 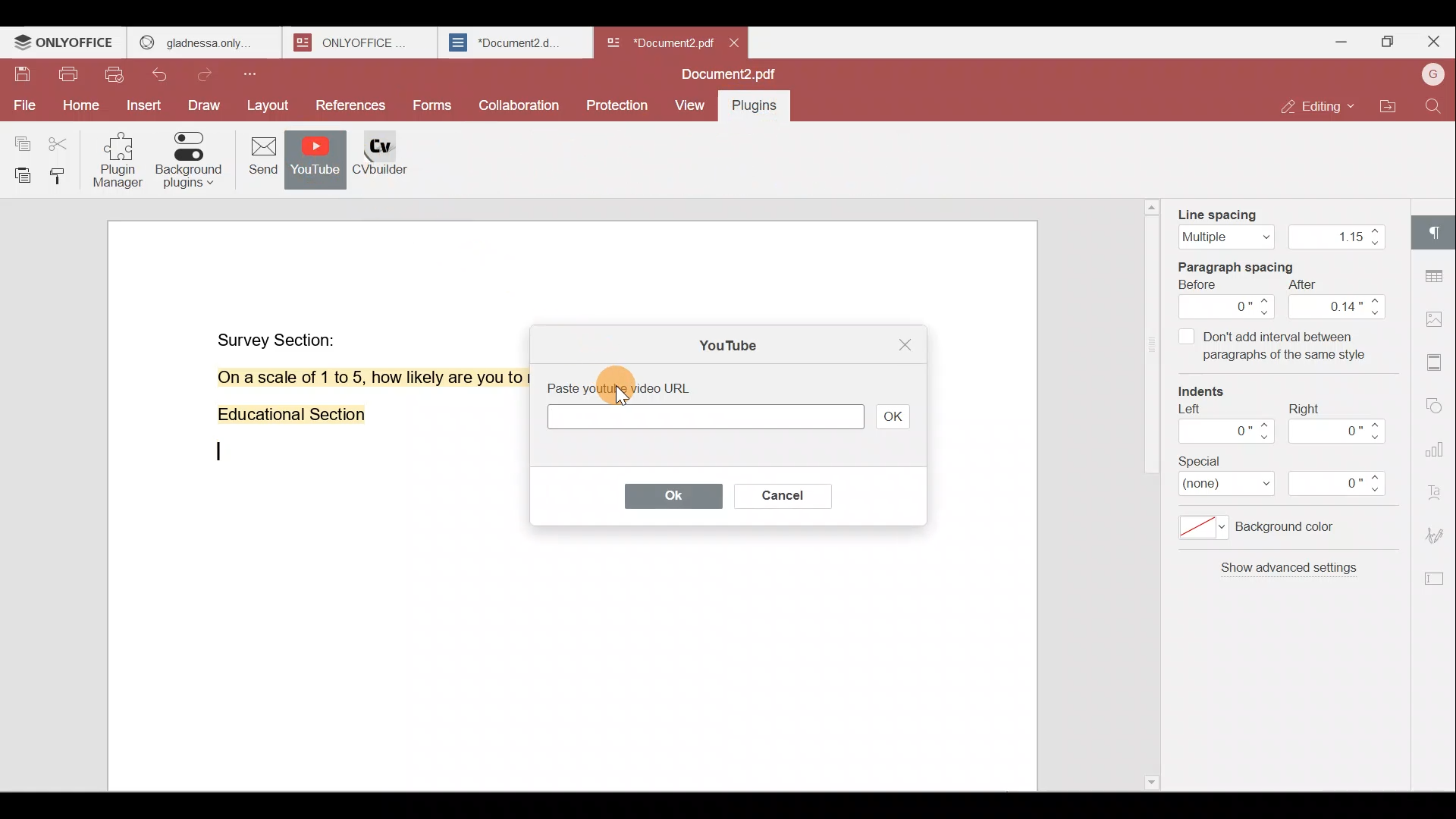 What do you see at coordinates (1432, 76) in the screenshot?
I see `Account name` at bounding box center [1432, 76].